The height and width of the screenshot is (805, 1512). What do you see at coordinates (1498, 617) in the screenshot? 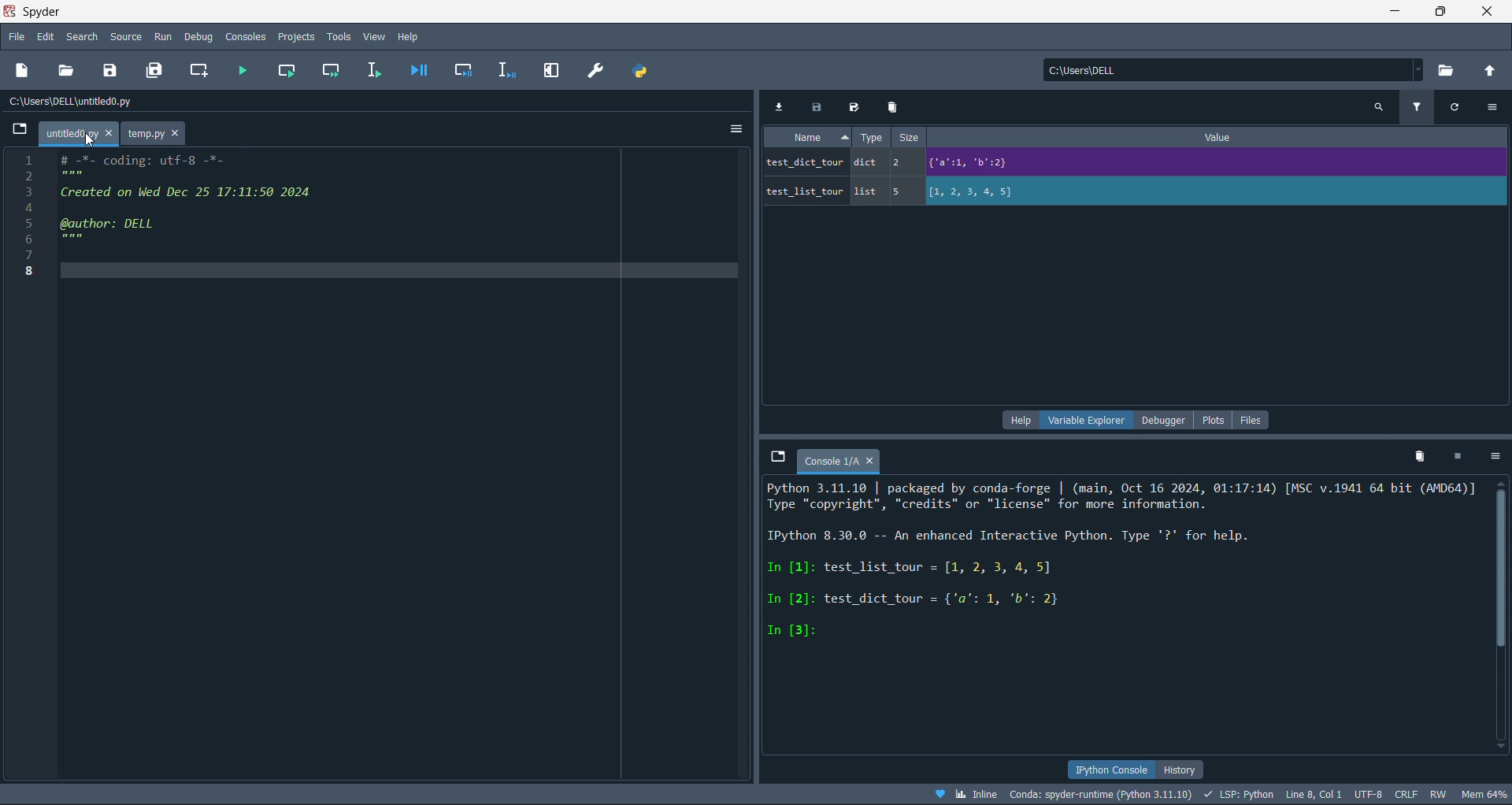
I see `Scroll bar` at bounding box center [1498, 617].